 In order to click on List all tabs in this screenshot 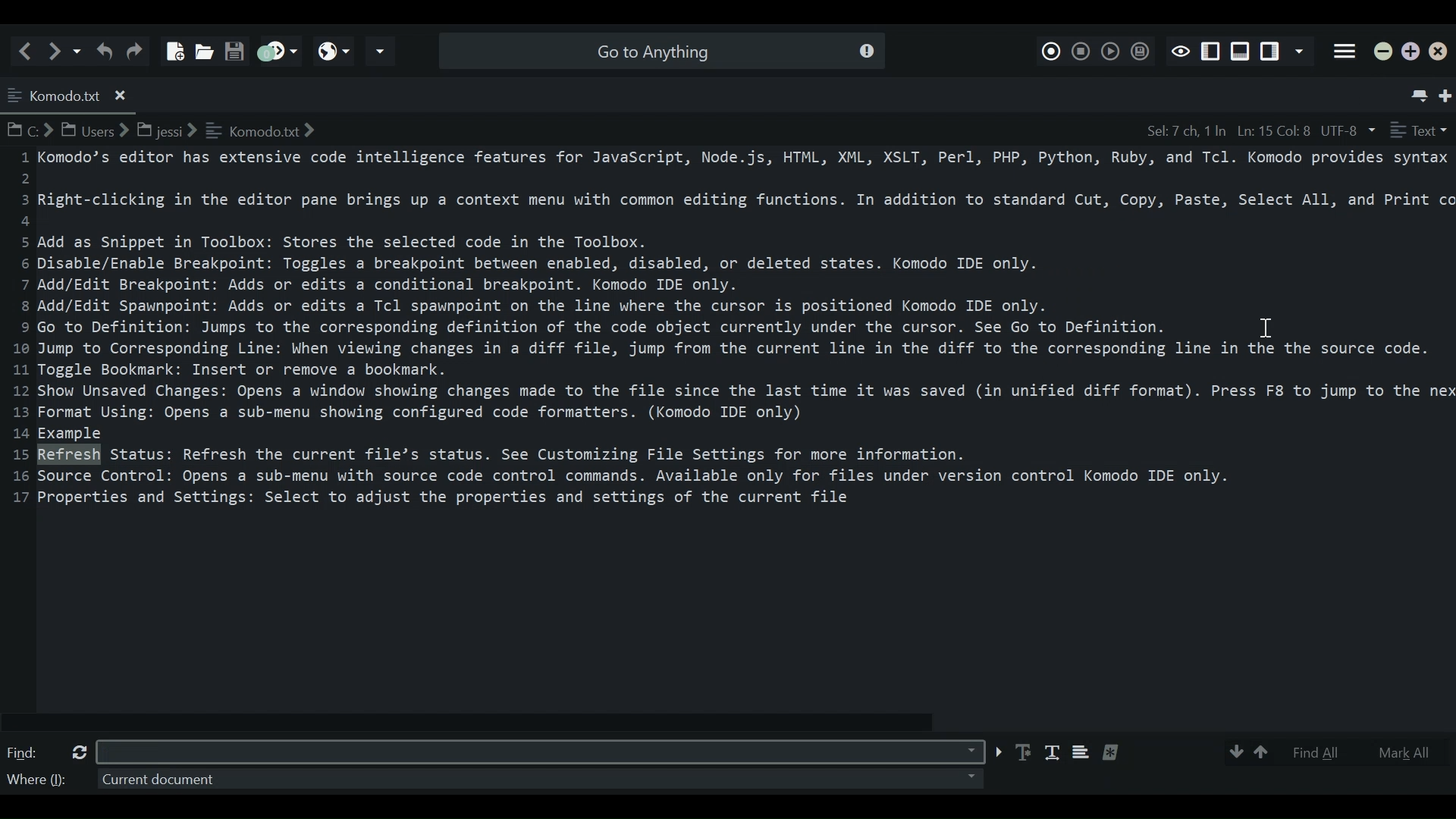, I will do `click(1417, 92)`.